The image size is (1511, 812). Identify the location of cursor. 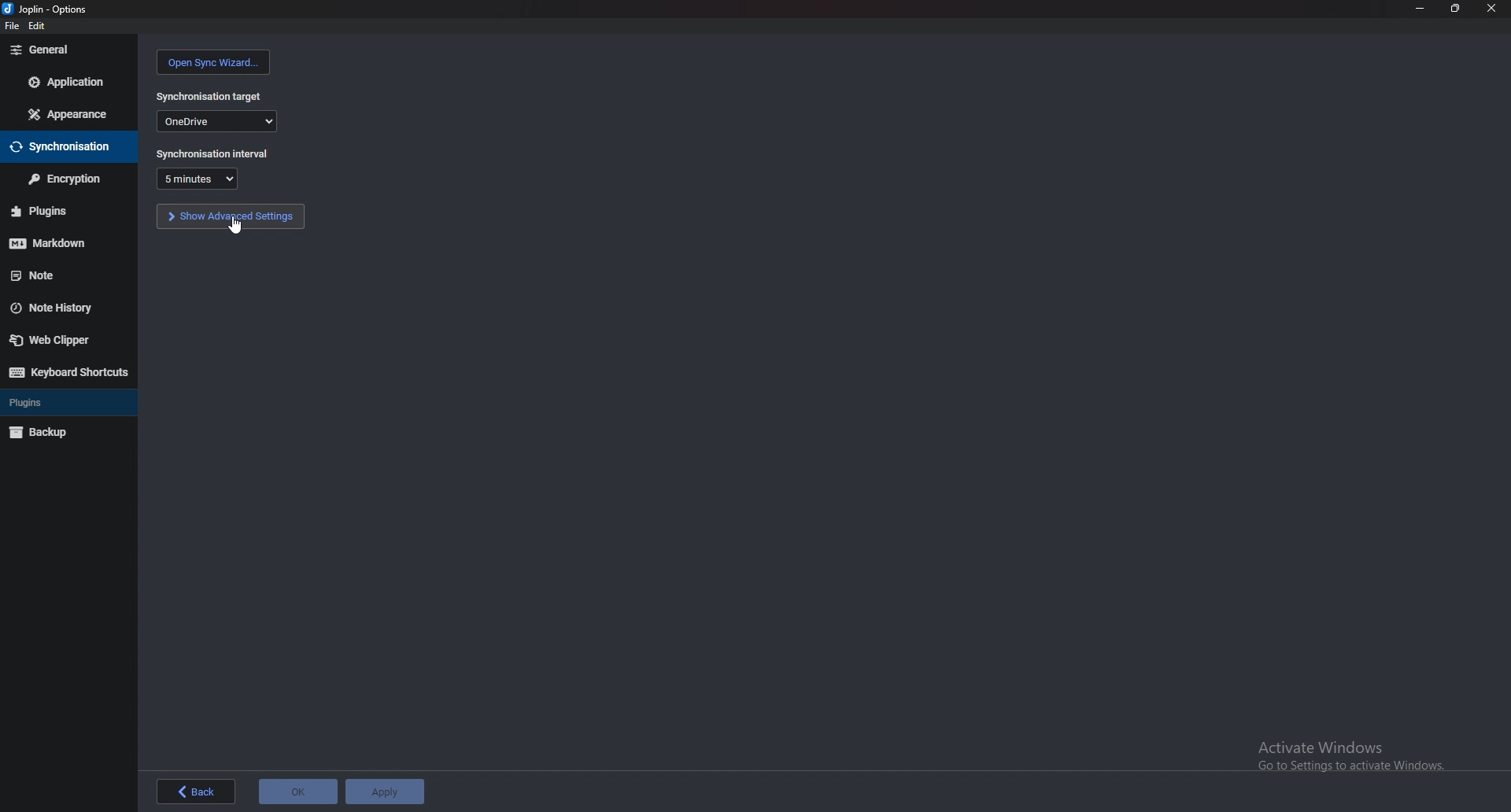
(235, 227).